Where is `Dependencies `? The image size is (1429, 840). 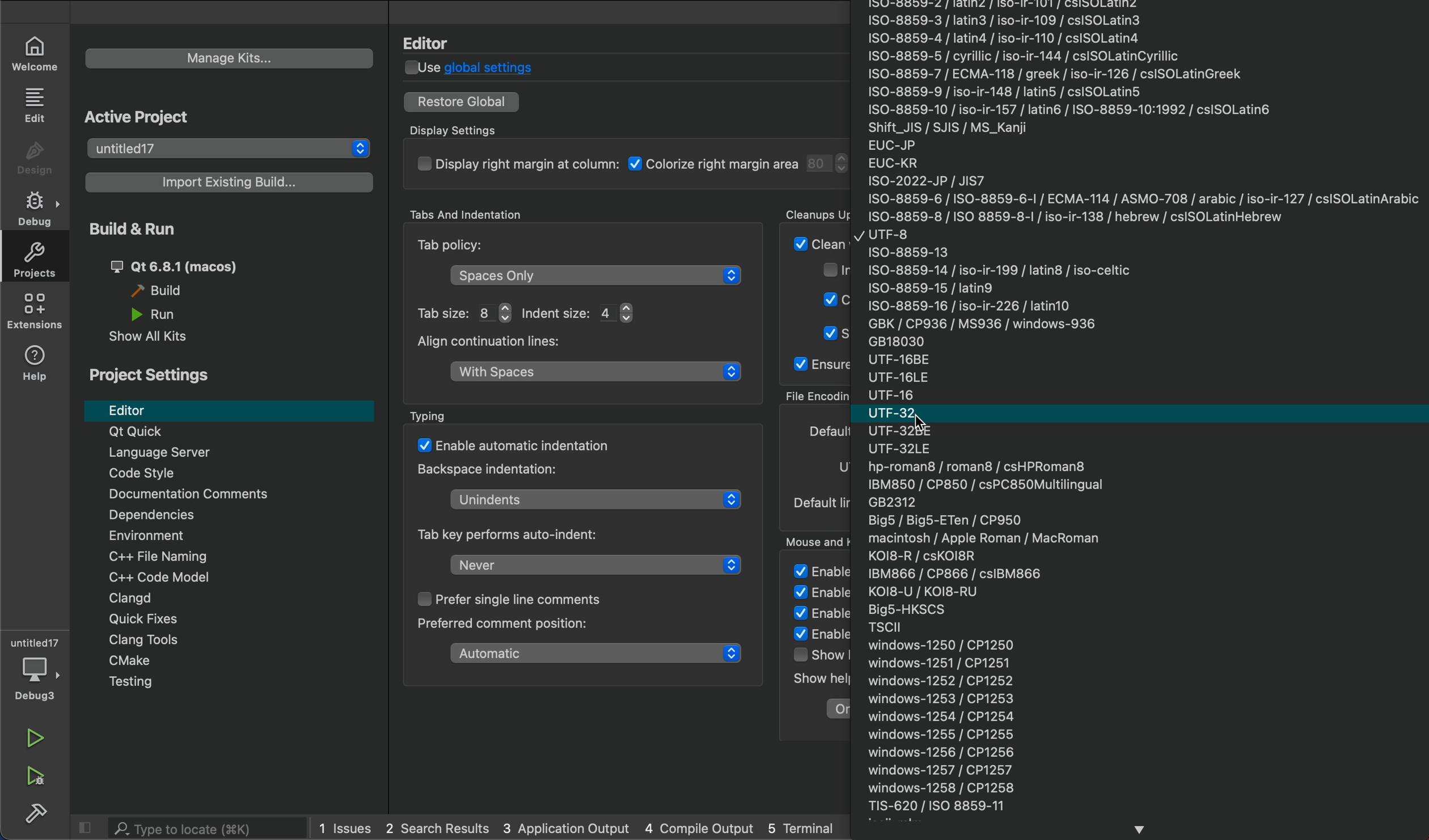 Dependencies  is located at coordinates (222, 515).